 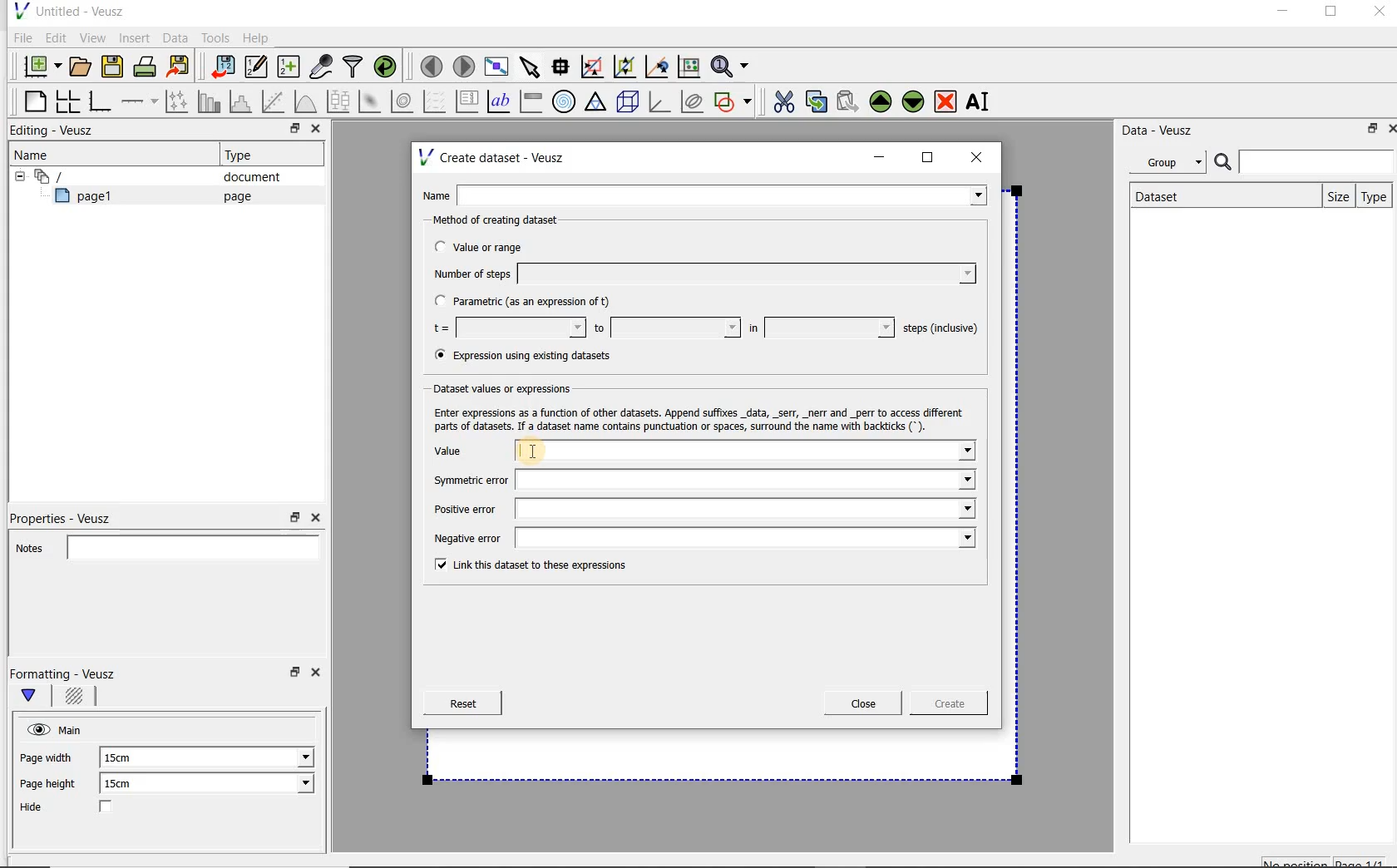 I want to click on Data, so click(x=176, y=37).